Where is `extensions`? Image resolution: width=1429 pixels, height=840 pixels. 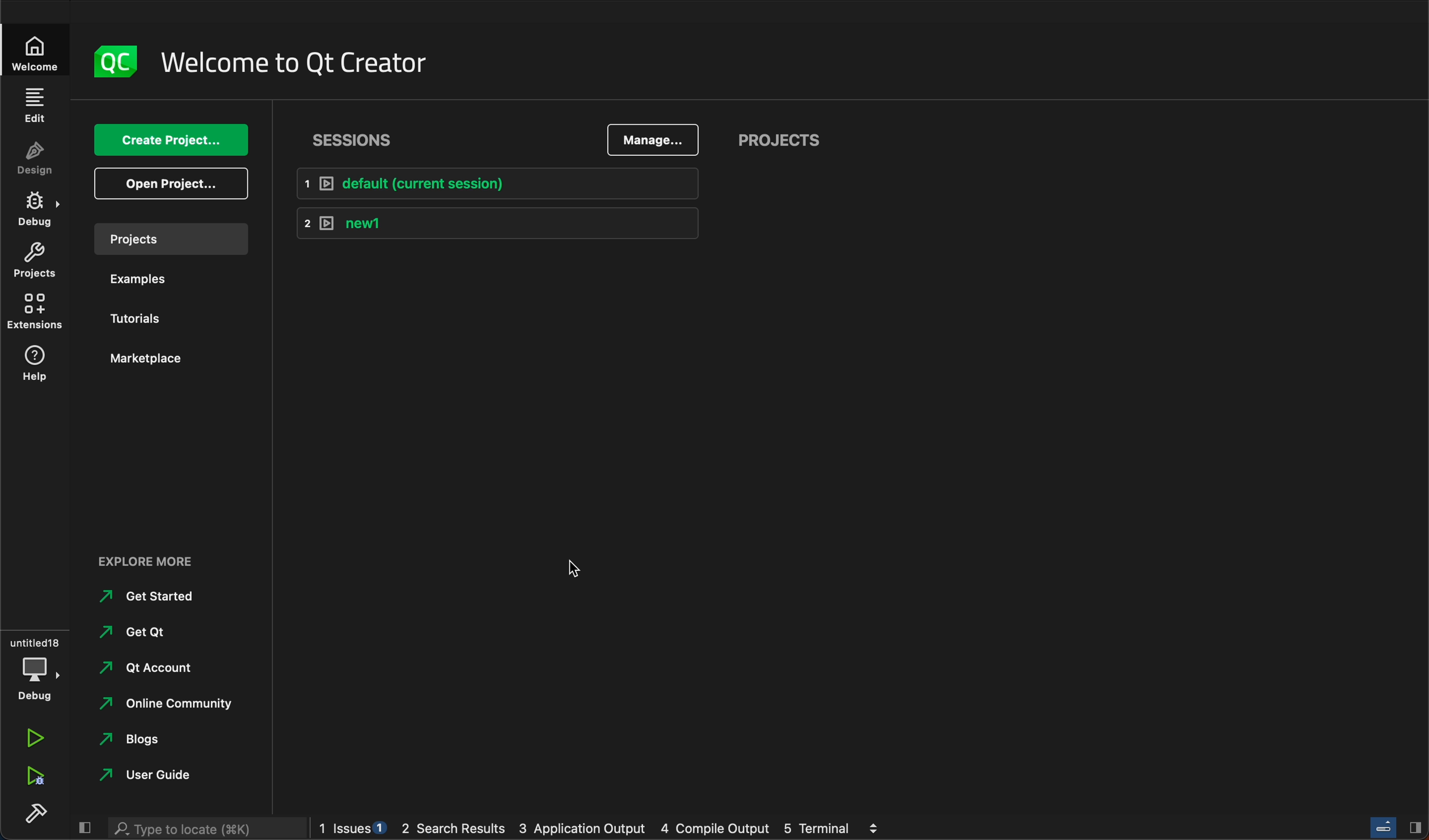 extensions is located at coordinates (36, 310).